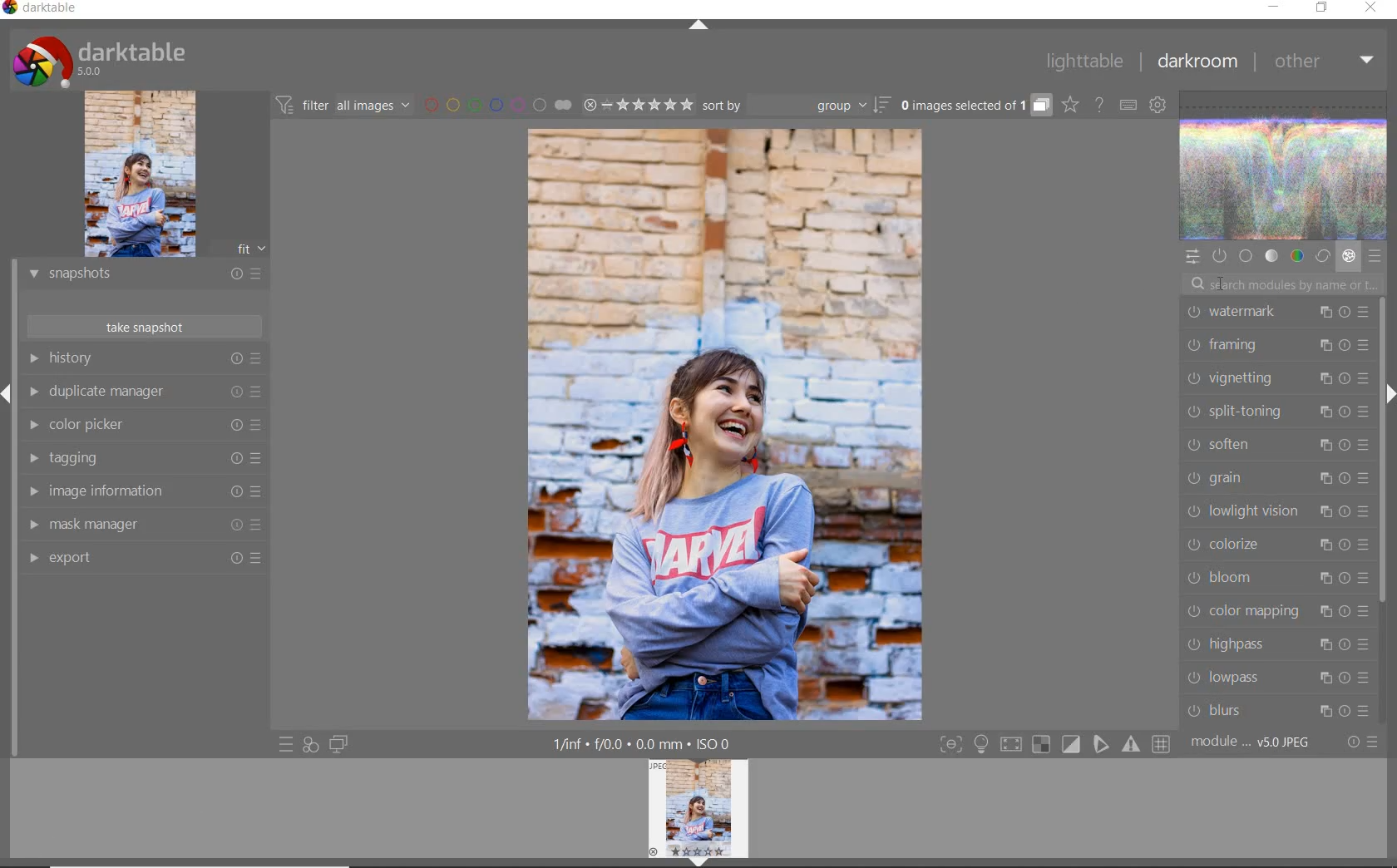 This screenshot has height=868, width=1397. What do you see at coordinates (1277, 411) in the screenshot?
I see `split-toning` at bounding box center [1277, 411].